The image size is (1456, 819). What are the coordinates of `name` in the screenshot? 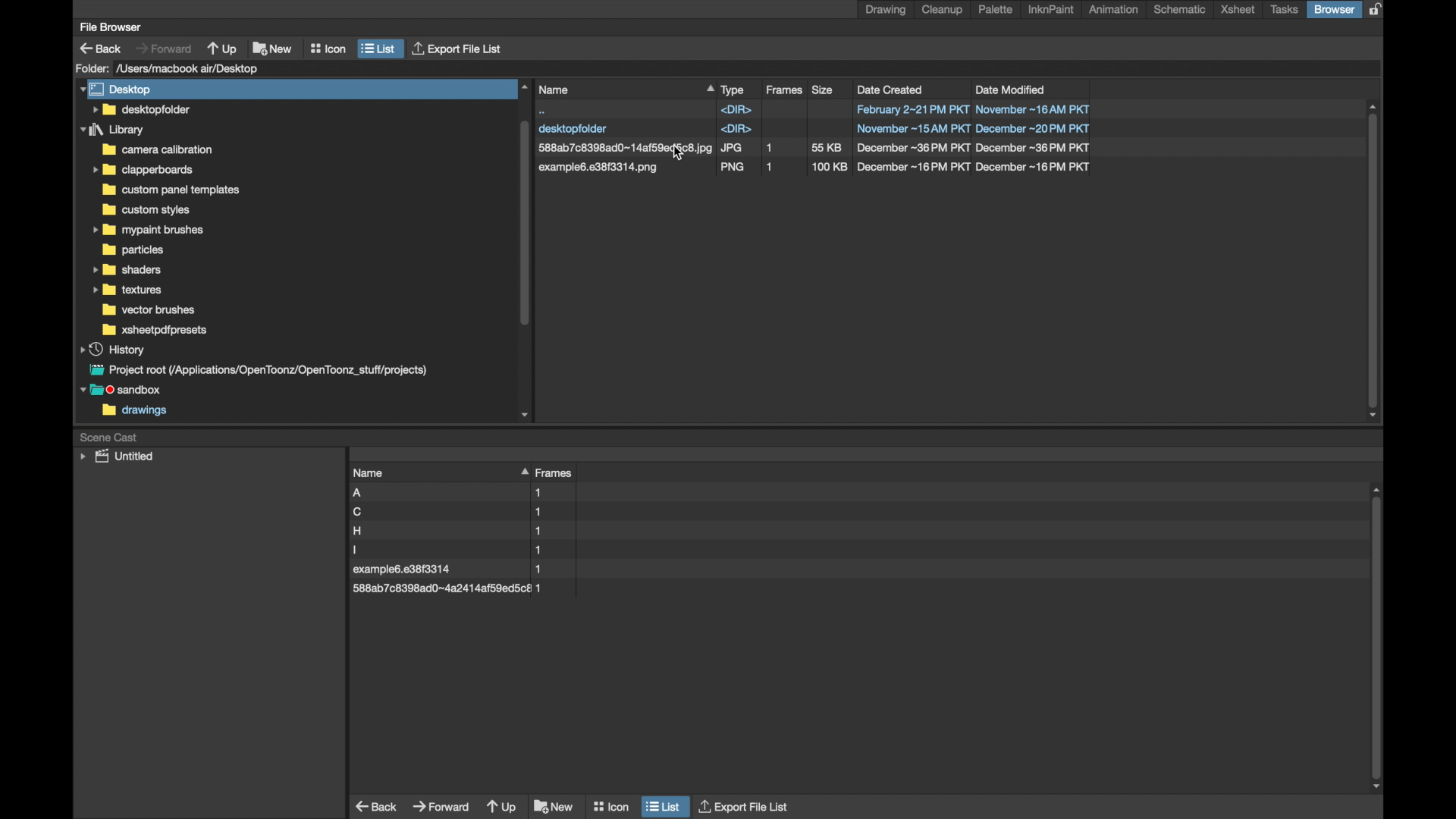 It's located at (625, 89).